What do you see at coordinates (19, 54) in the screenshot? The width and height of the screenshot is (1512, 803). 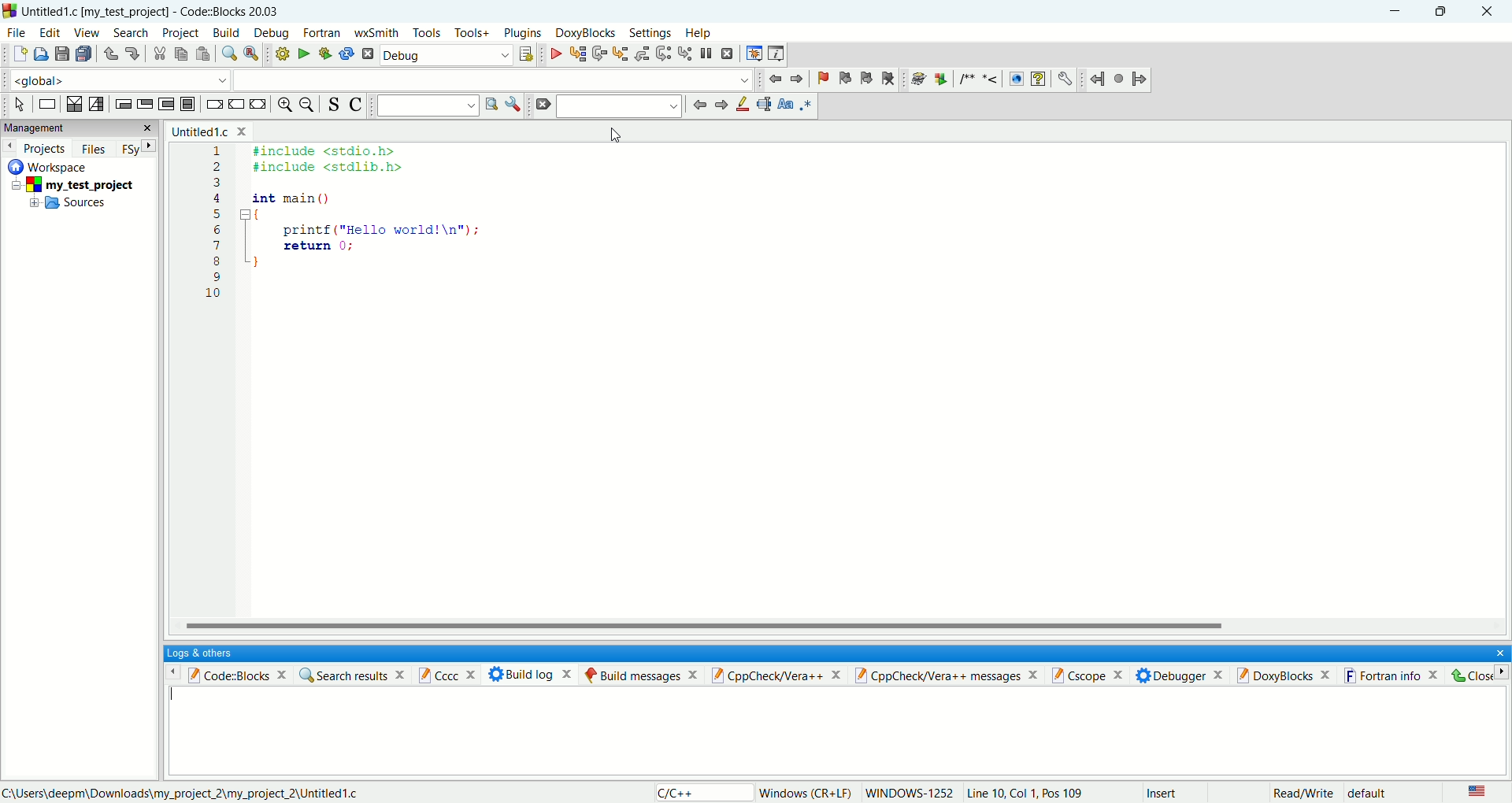 I see `new` at bounding box center [19, 54].